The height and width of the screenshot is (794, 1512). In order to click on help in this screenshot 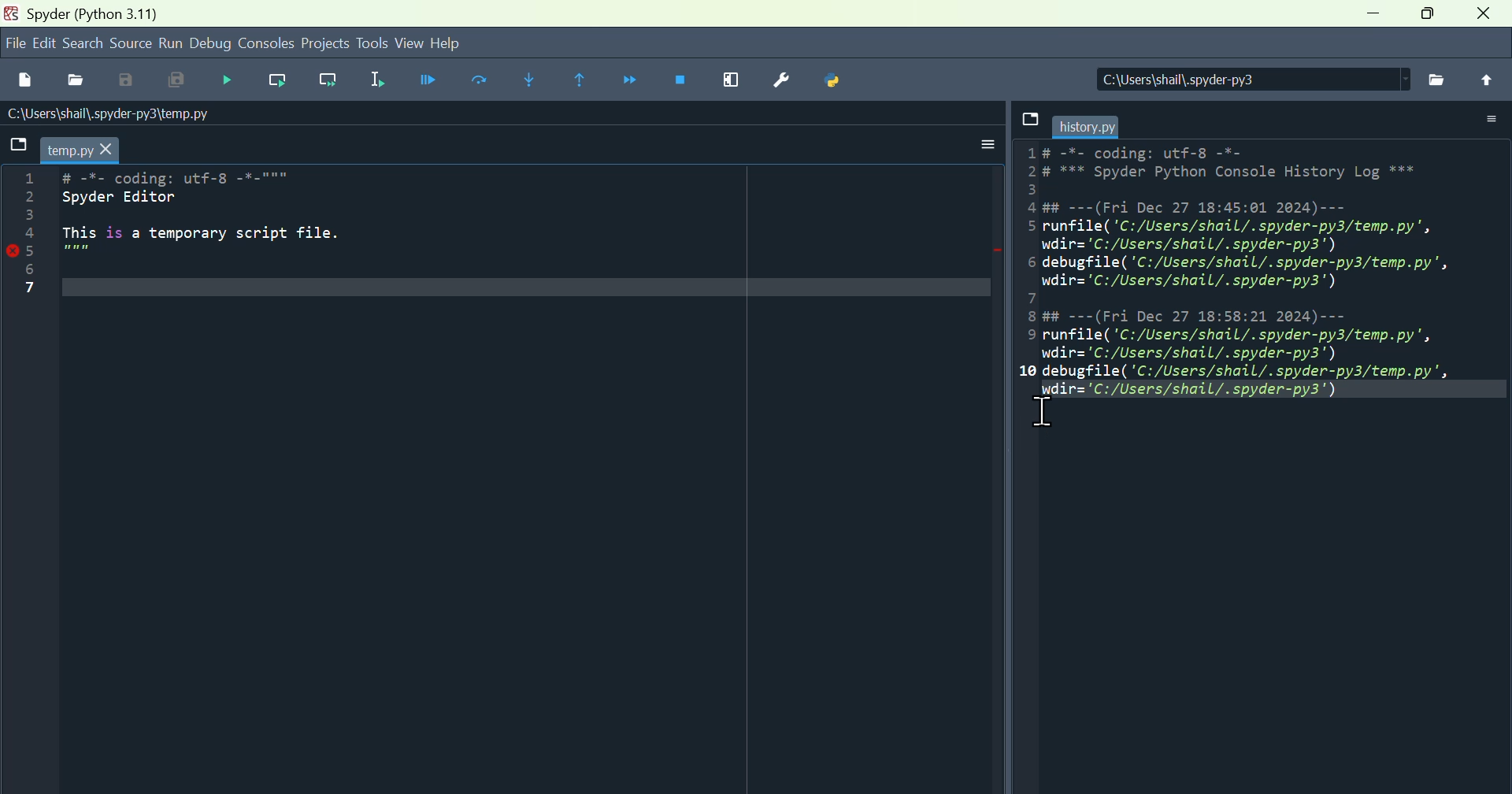, I will do `click(449, 42)`.